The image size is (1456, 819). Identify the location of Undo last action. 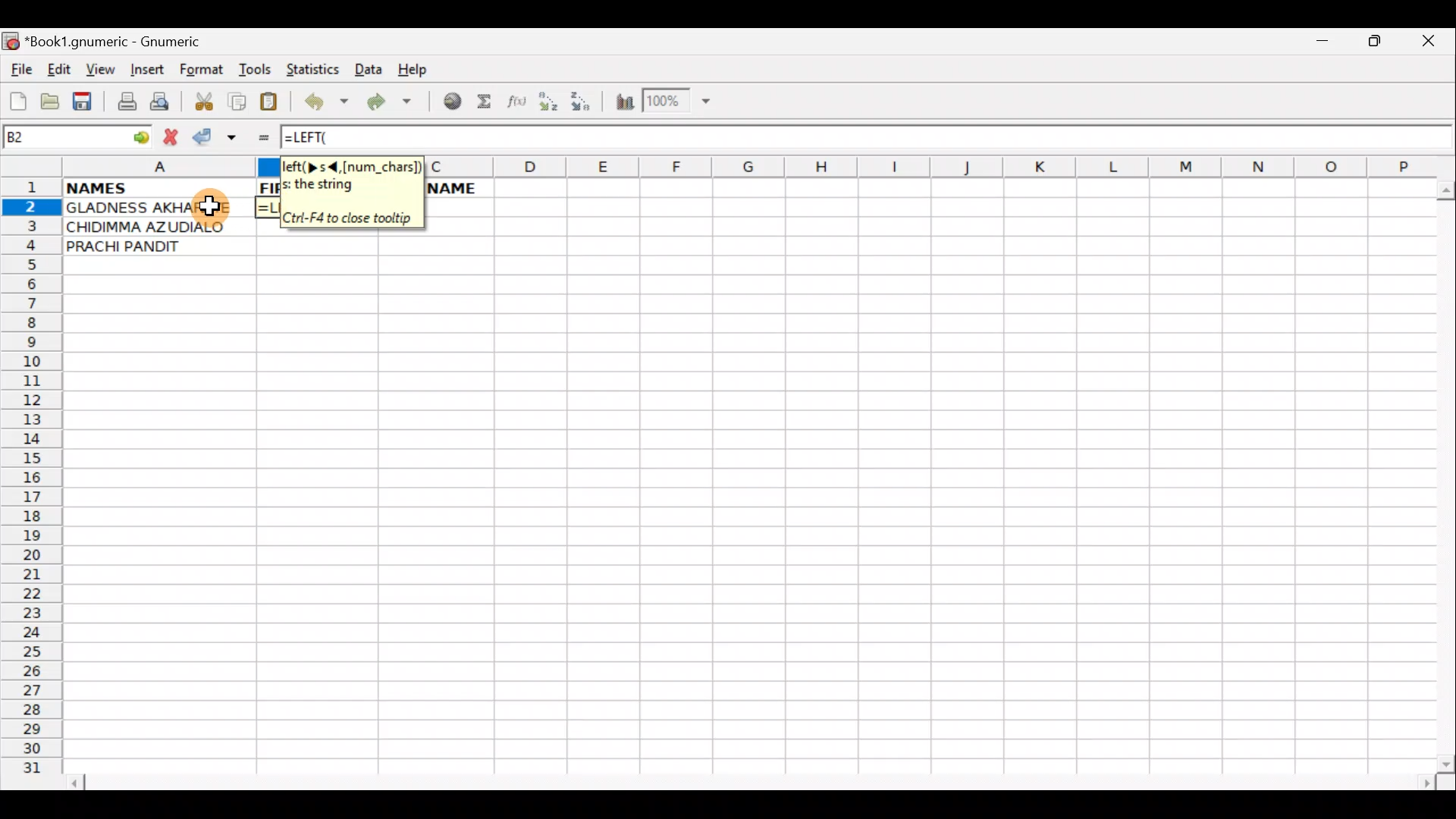
(328, 104).